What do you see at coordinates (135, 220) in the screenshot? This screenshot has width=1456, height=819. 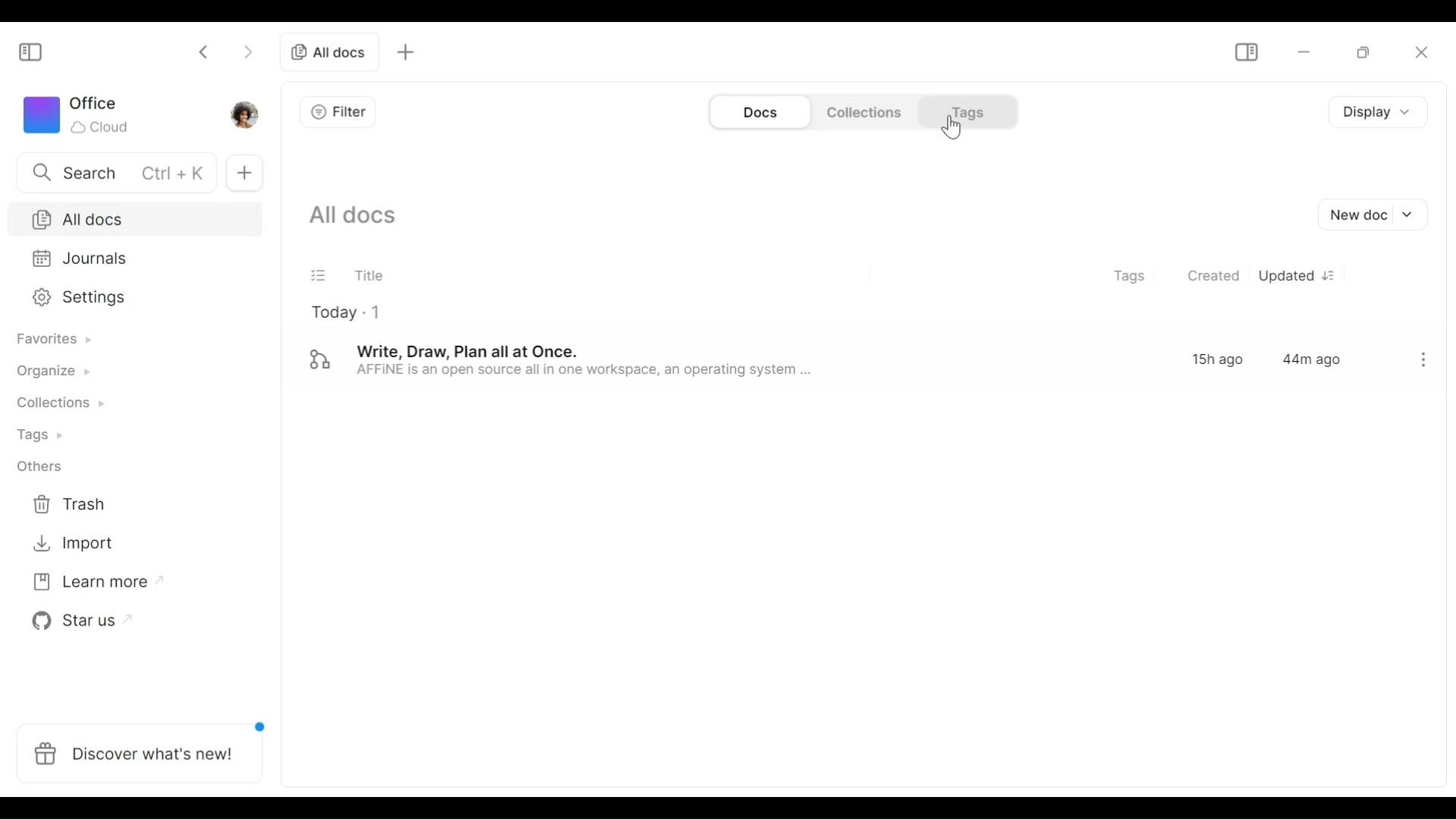 I see `All documents` at bounding box center [135, 220].